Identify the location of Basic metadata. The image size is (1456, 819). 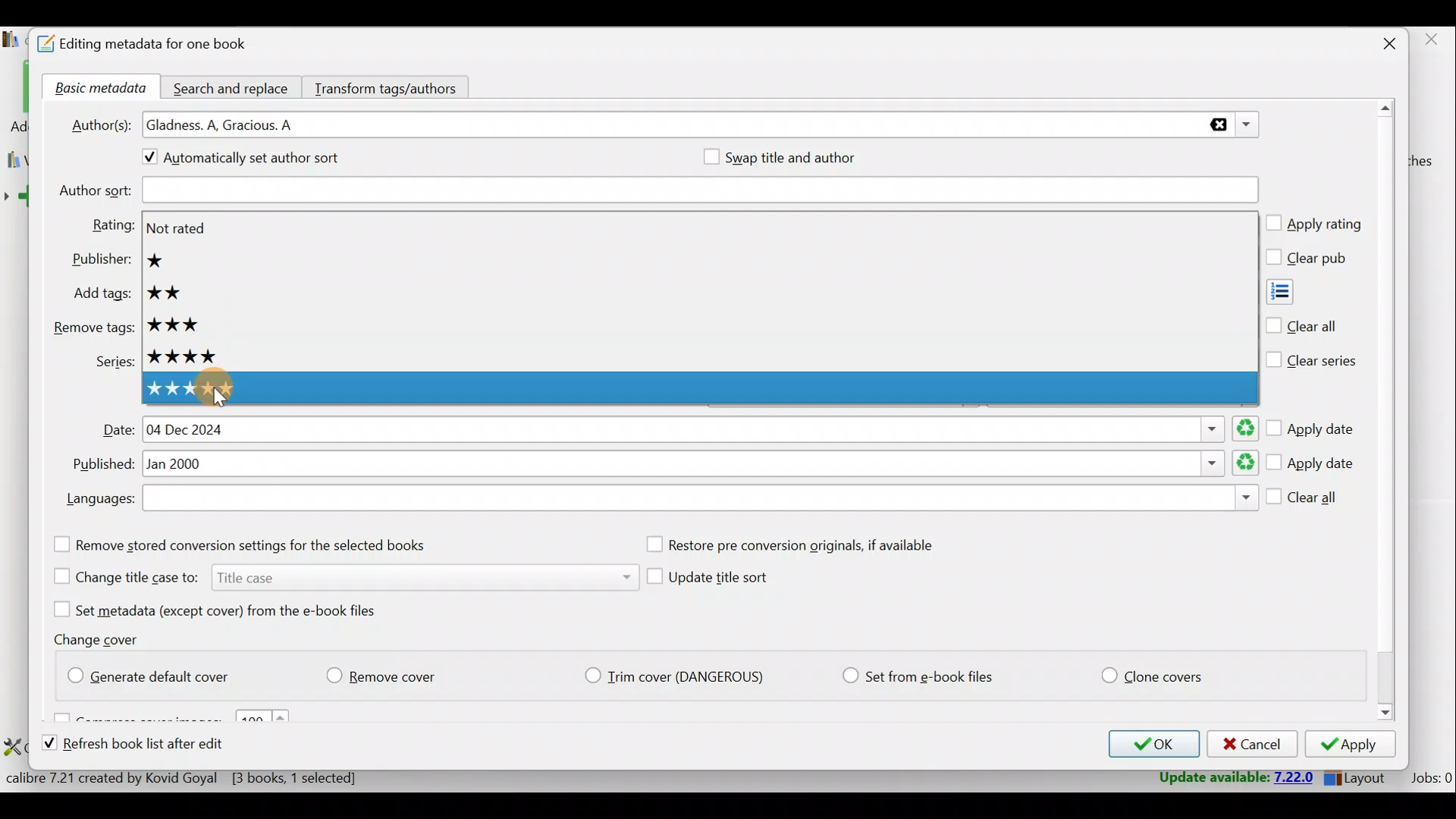
(96, 89).